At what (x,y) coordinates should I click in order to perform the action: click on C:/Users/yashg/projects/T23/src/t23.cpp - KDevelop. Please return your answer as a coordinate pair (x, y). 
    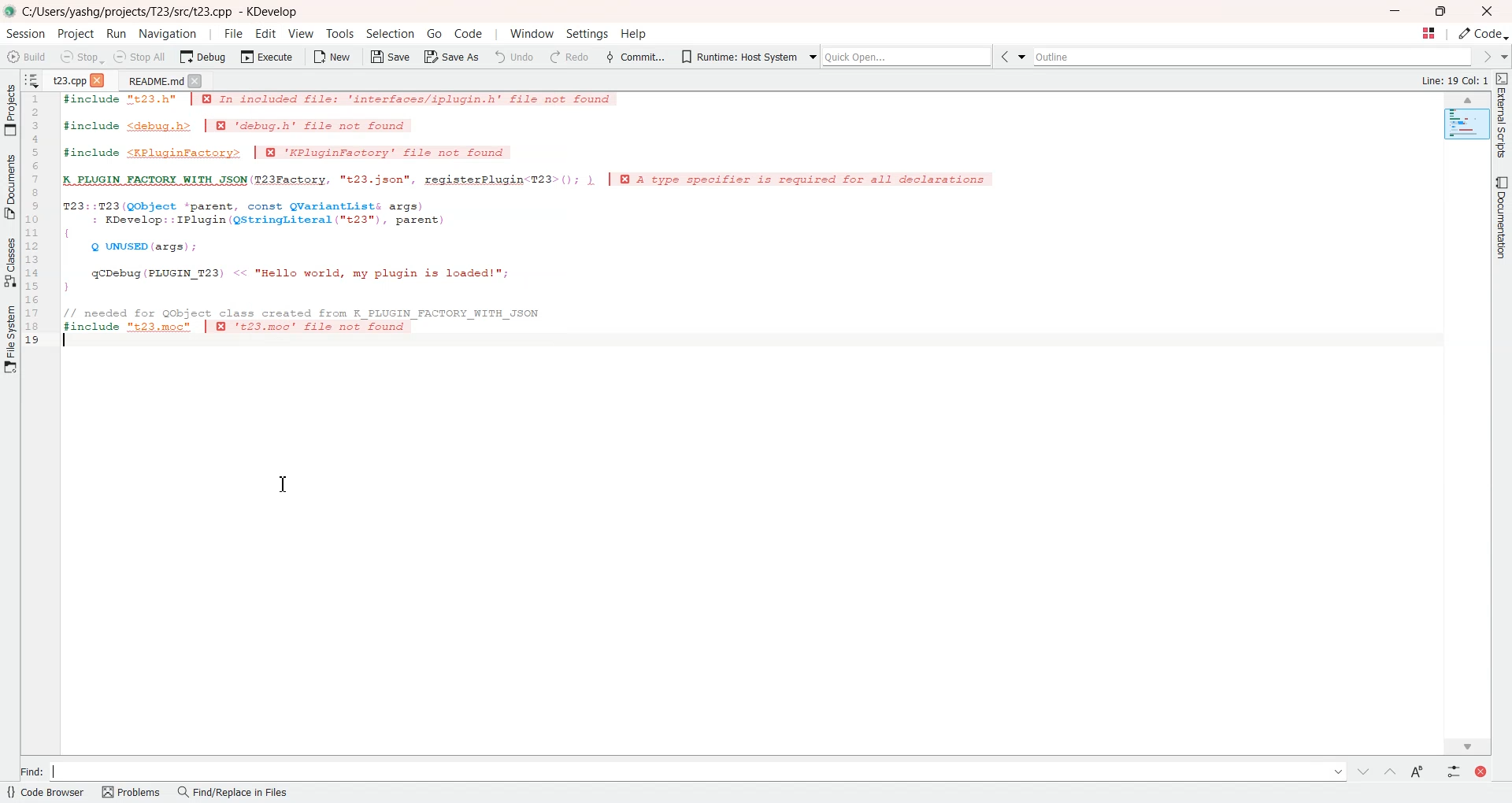
    Looking at the image, I should click on (163, 12).